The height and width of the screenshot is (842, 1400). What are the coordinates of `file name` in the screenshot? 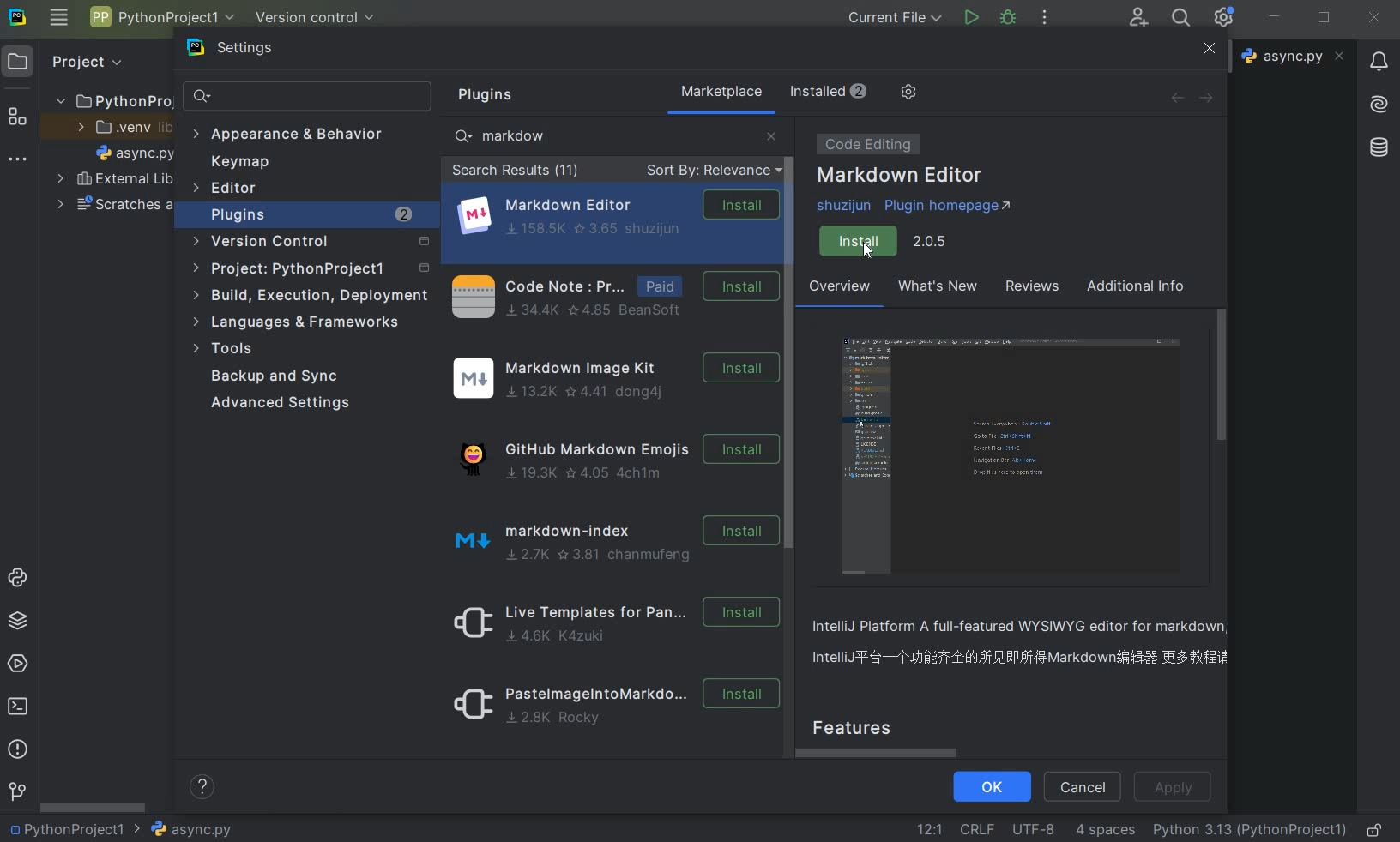 It's located at (136, 153).